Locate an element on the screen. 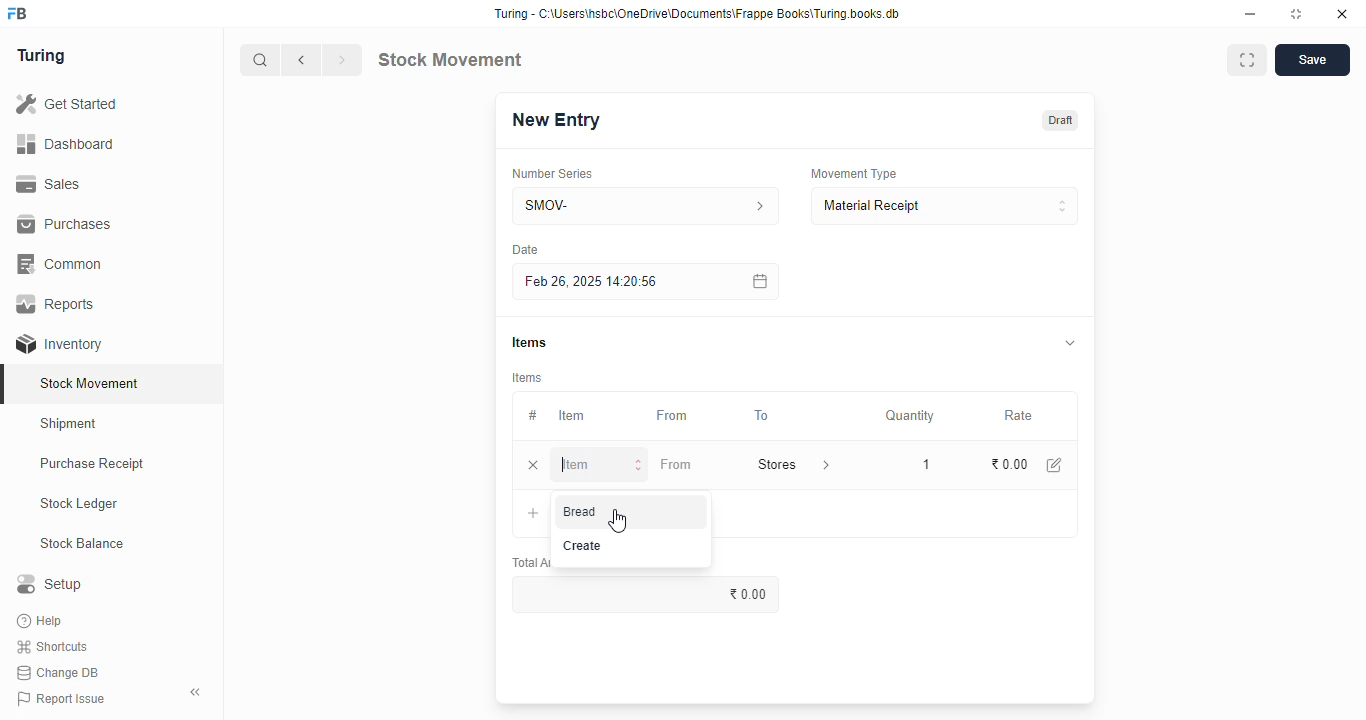  item is located at coordinates (571, 415).